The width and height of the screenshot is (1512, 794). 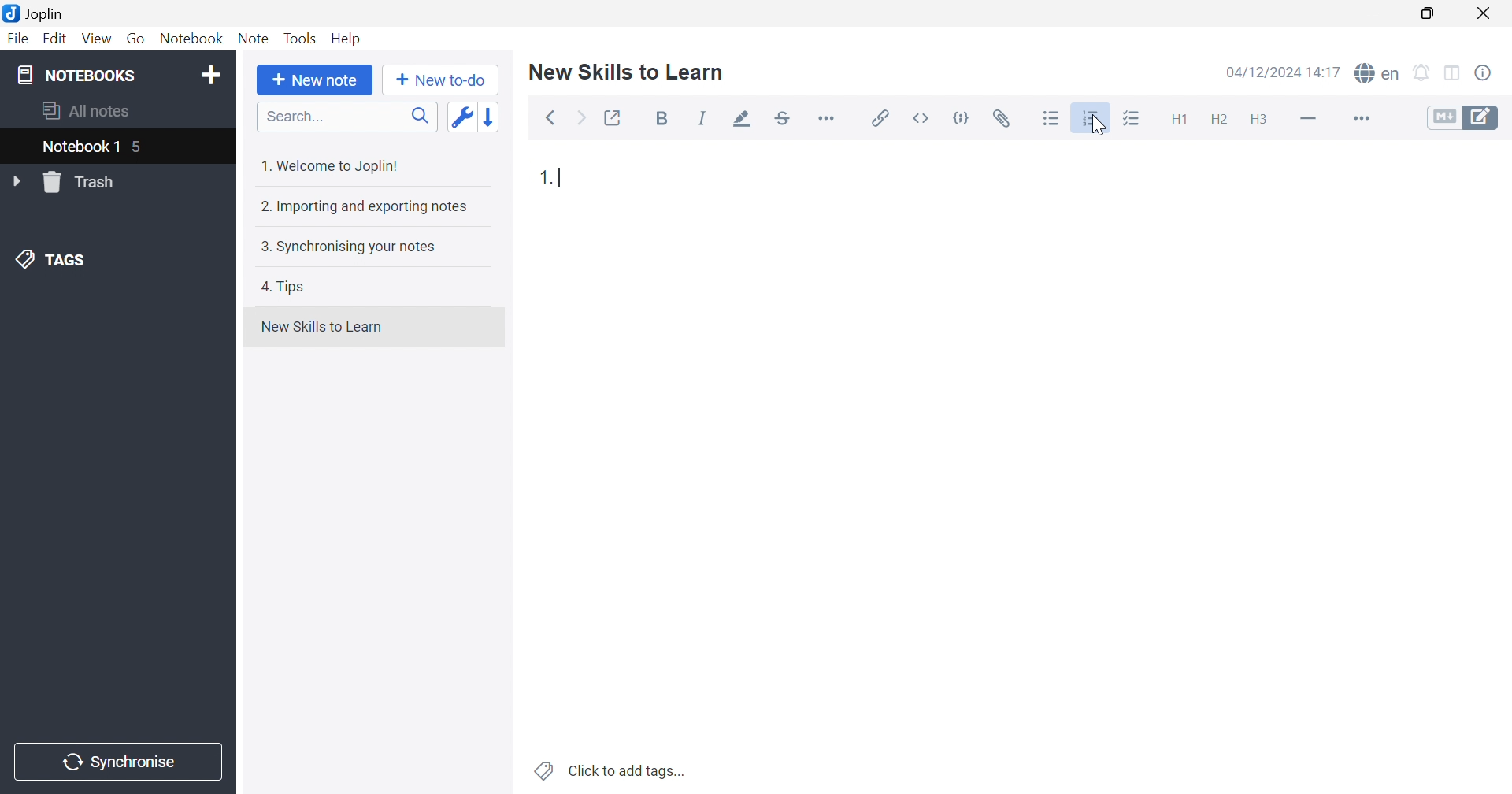 What do you see at coordinates (1484, 14) in the screenshot?
I see `Close` at bounding box center [1484, 14].